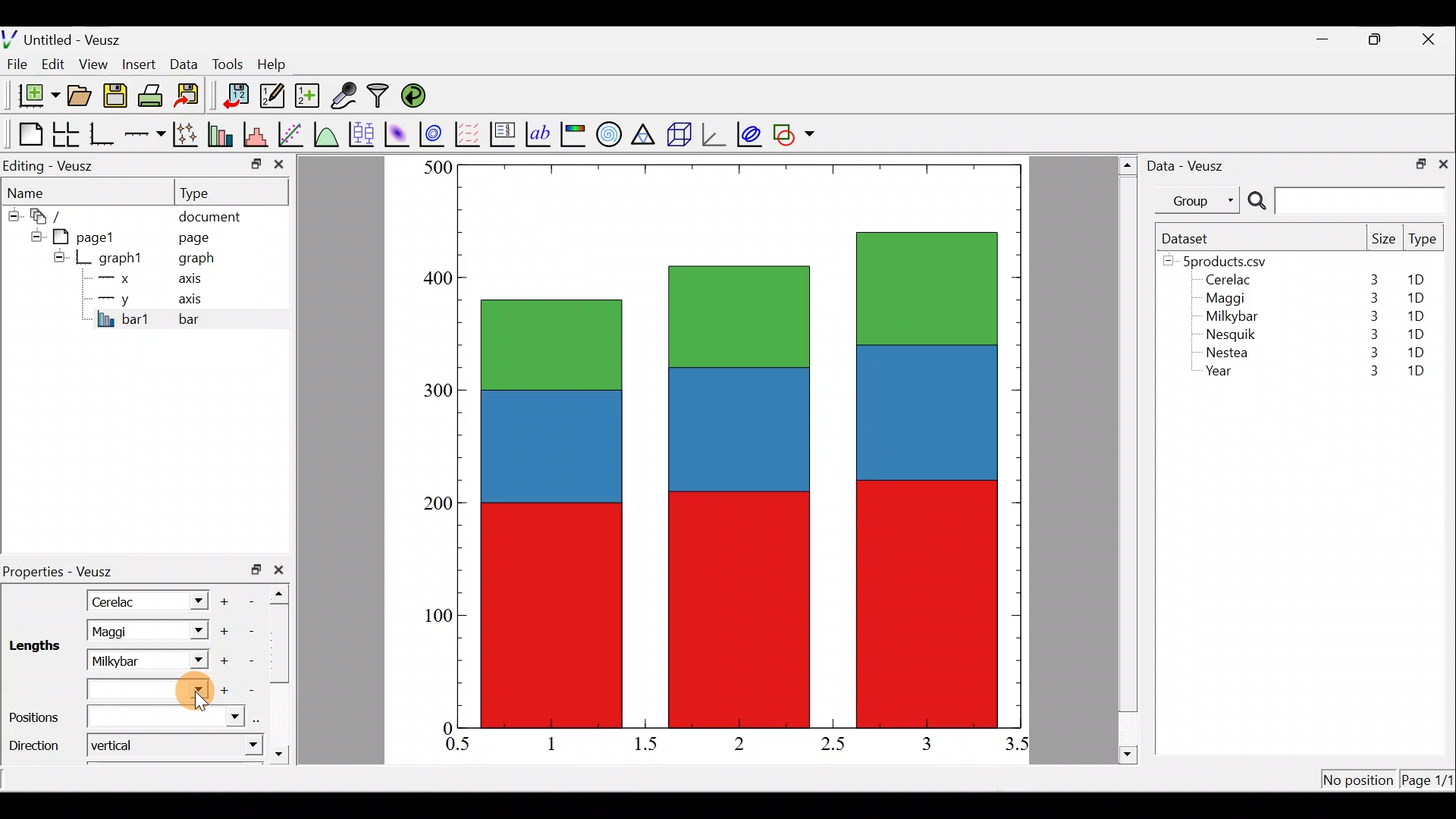  Describe the element at coordinates (381, 97) in the screenshot. I see `Filter data` at that location.